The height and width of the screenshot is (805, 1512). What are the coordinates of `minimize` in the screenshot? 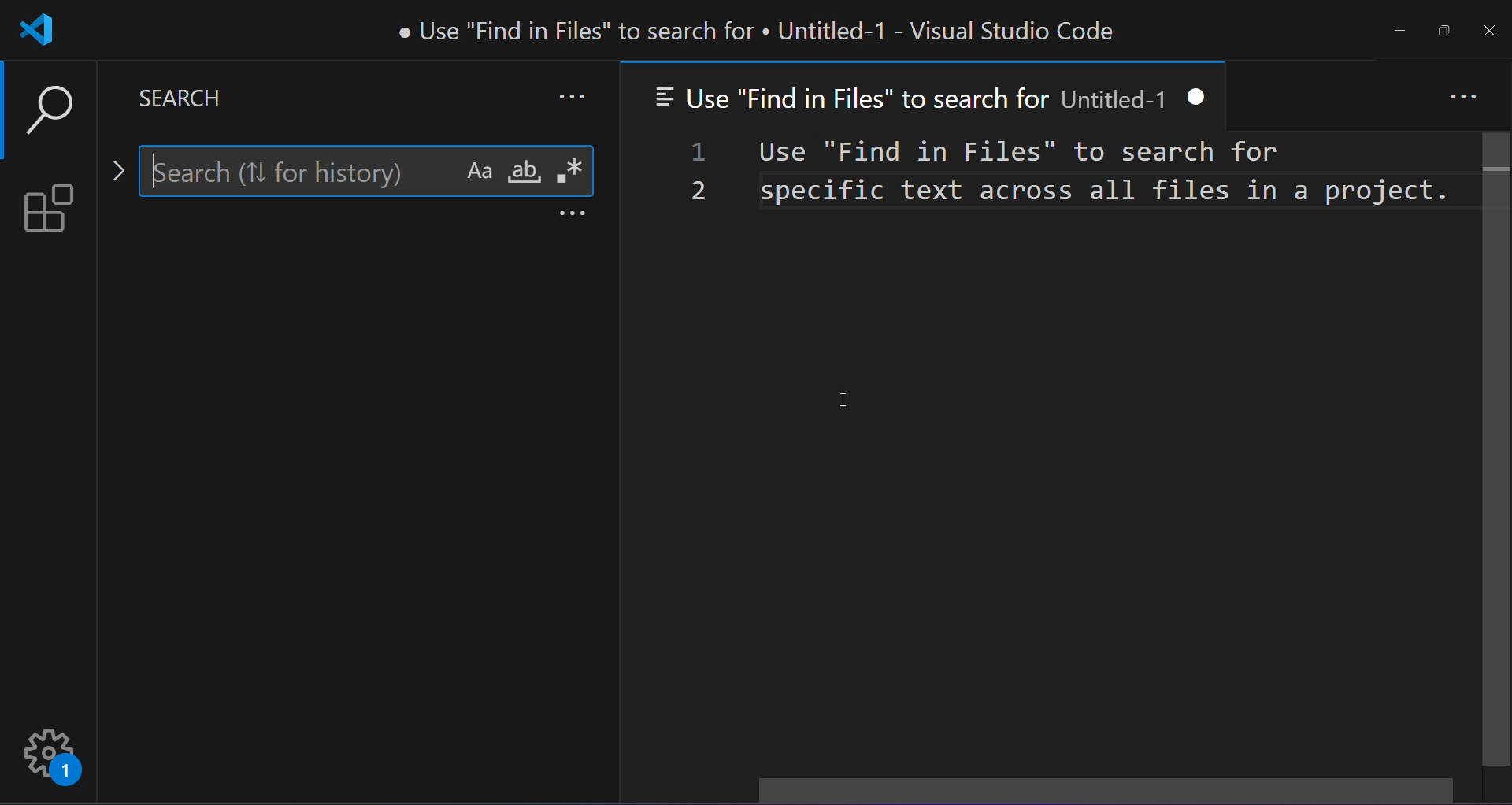 It's located at (1403, 29).